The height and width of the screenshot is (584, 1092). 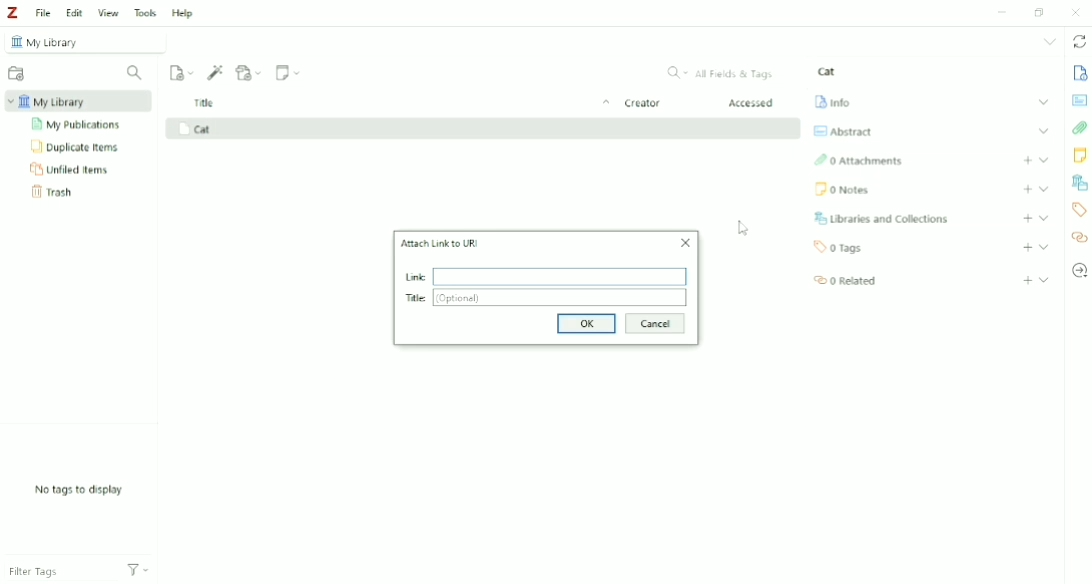 I want to click on Tags, so click(x=839, y=247).